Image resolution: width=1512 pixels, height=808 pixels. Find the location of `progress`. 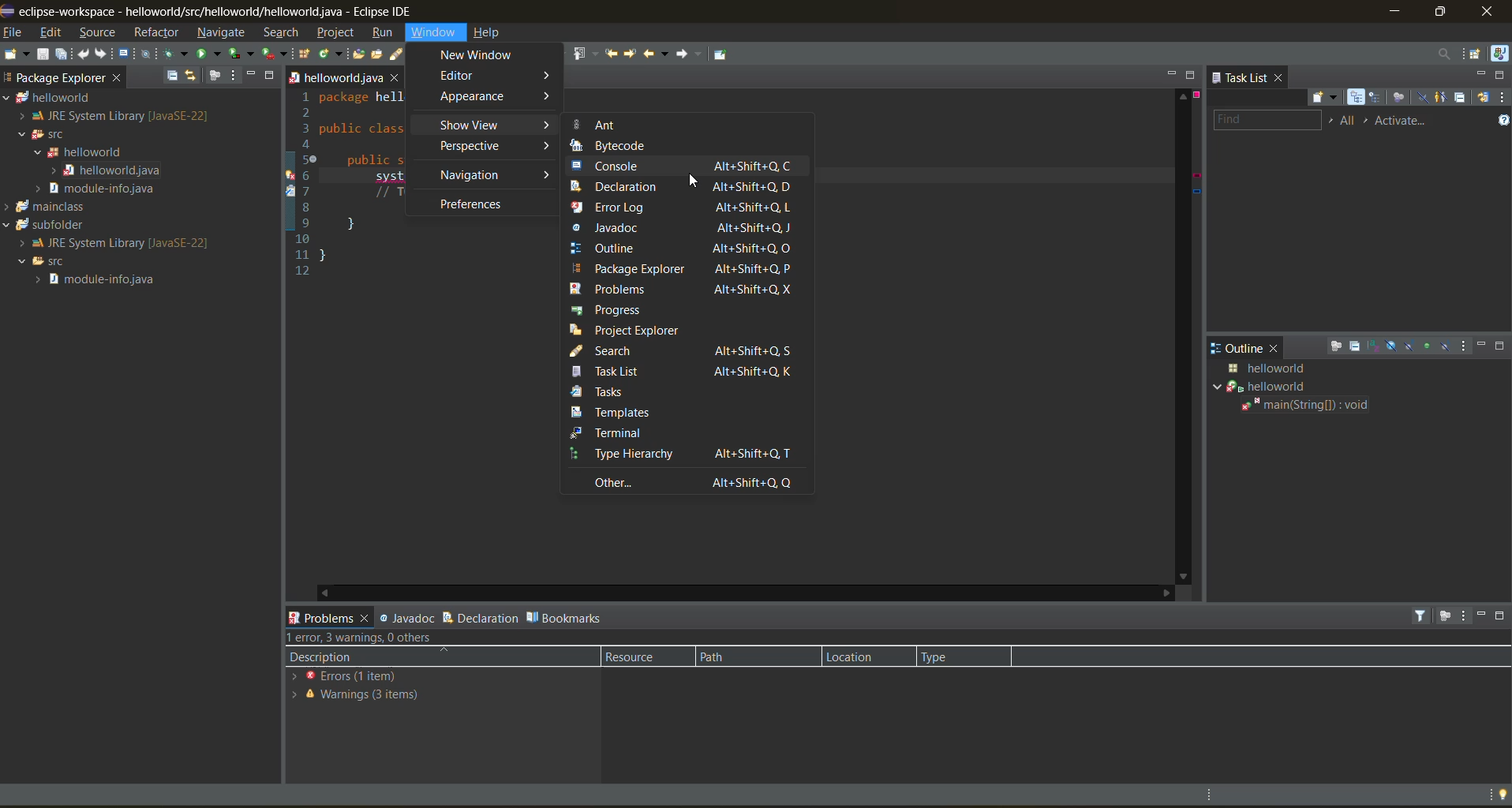

progress is located at coordinates (627, 309).